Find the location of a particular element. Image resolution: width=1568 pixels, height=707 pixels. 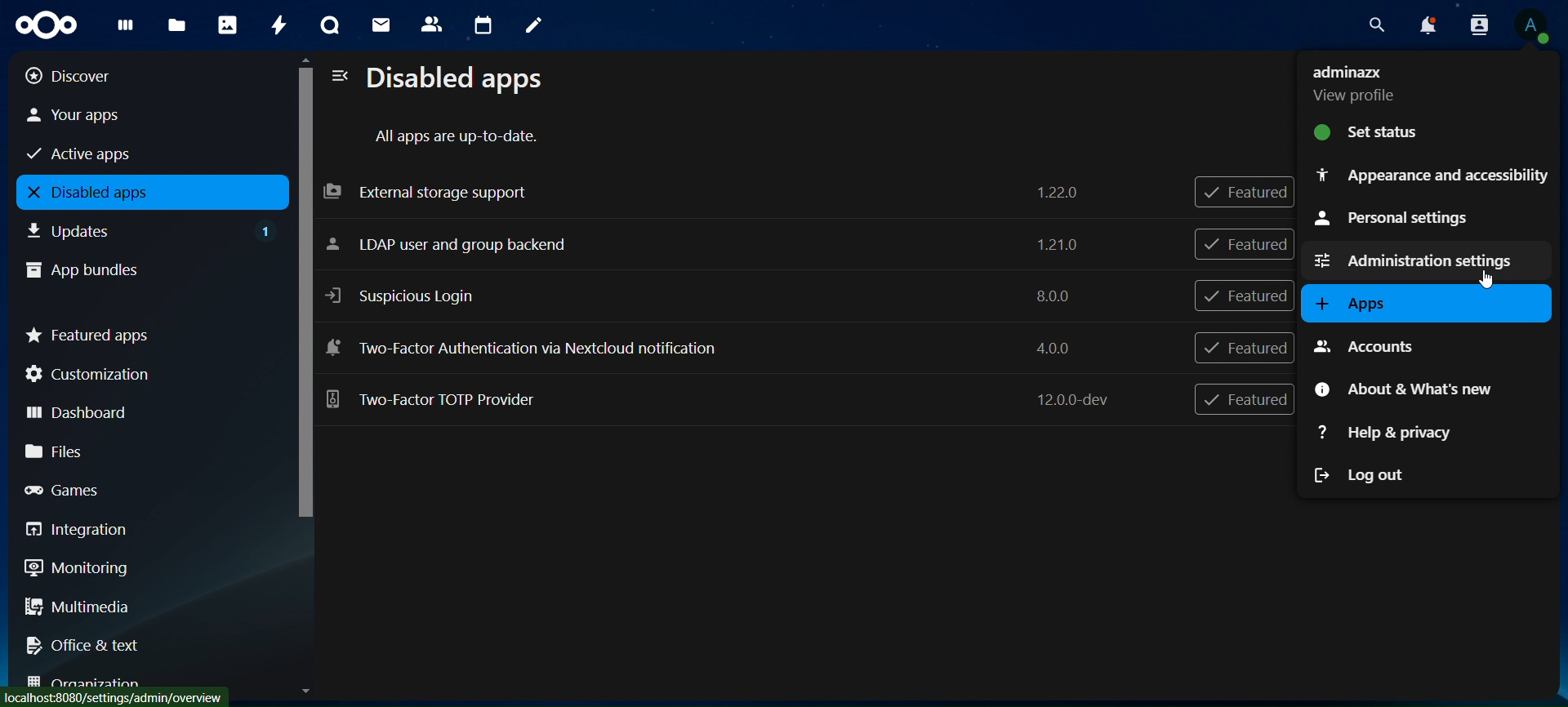

two factor TOTP provider is located at coordinates (725, 401).